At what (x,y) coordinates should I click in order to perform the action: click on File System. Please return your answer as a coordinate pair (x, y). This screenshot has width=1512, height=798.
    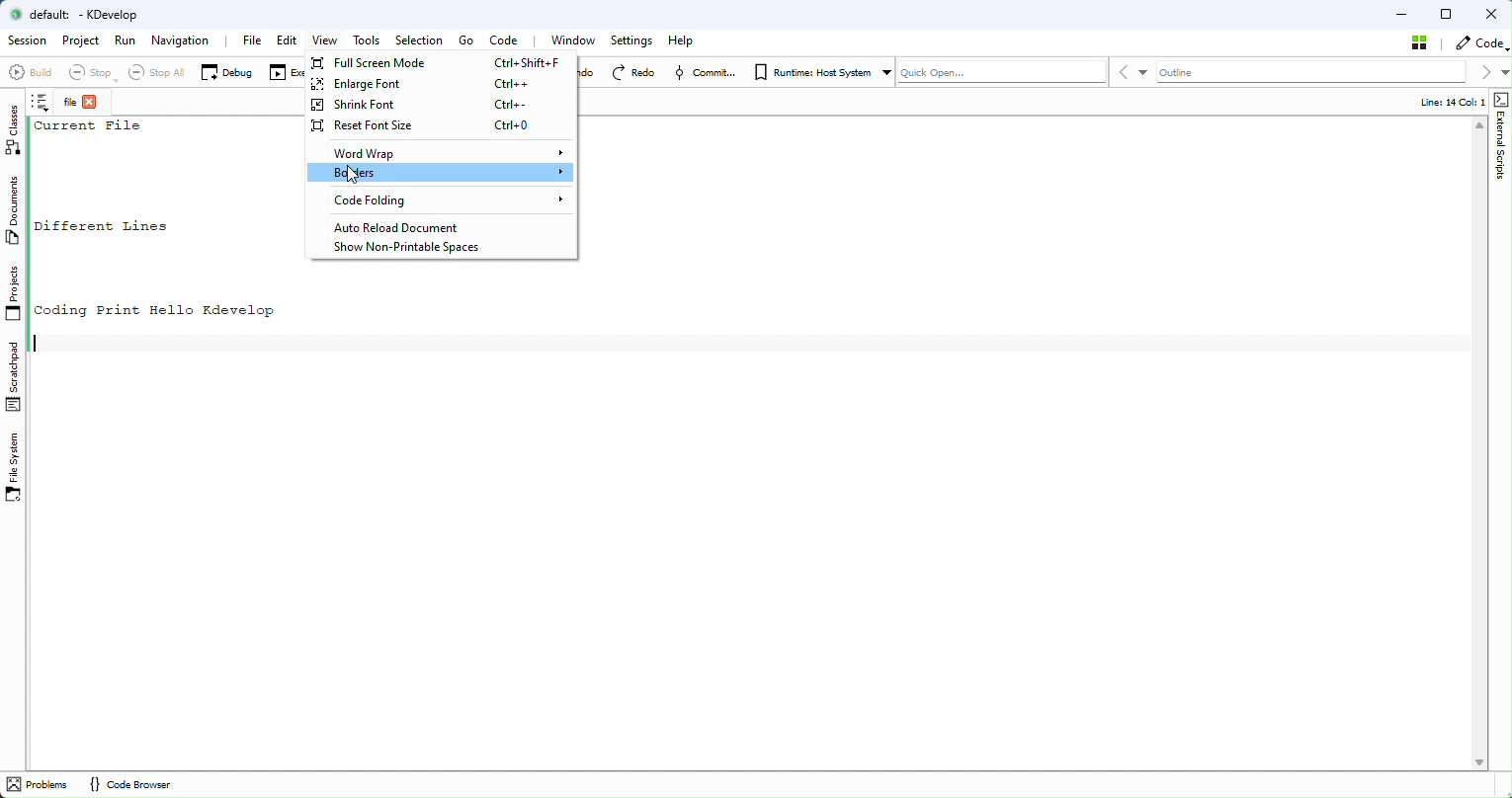
    Looking at the image, I should click on (17, 468).